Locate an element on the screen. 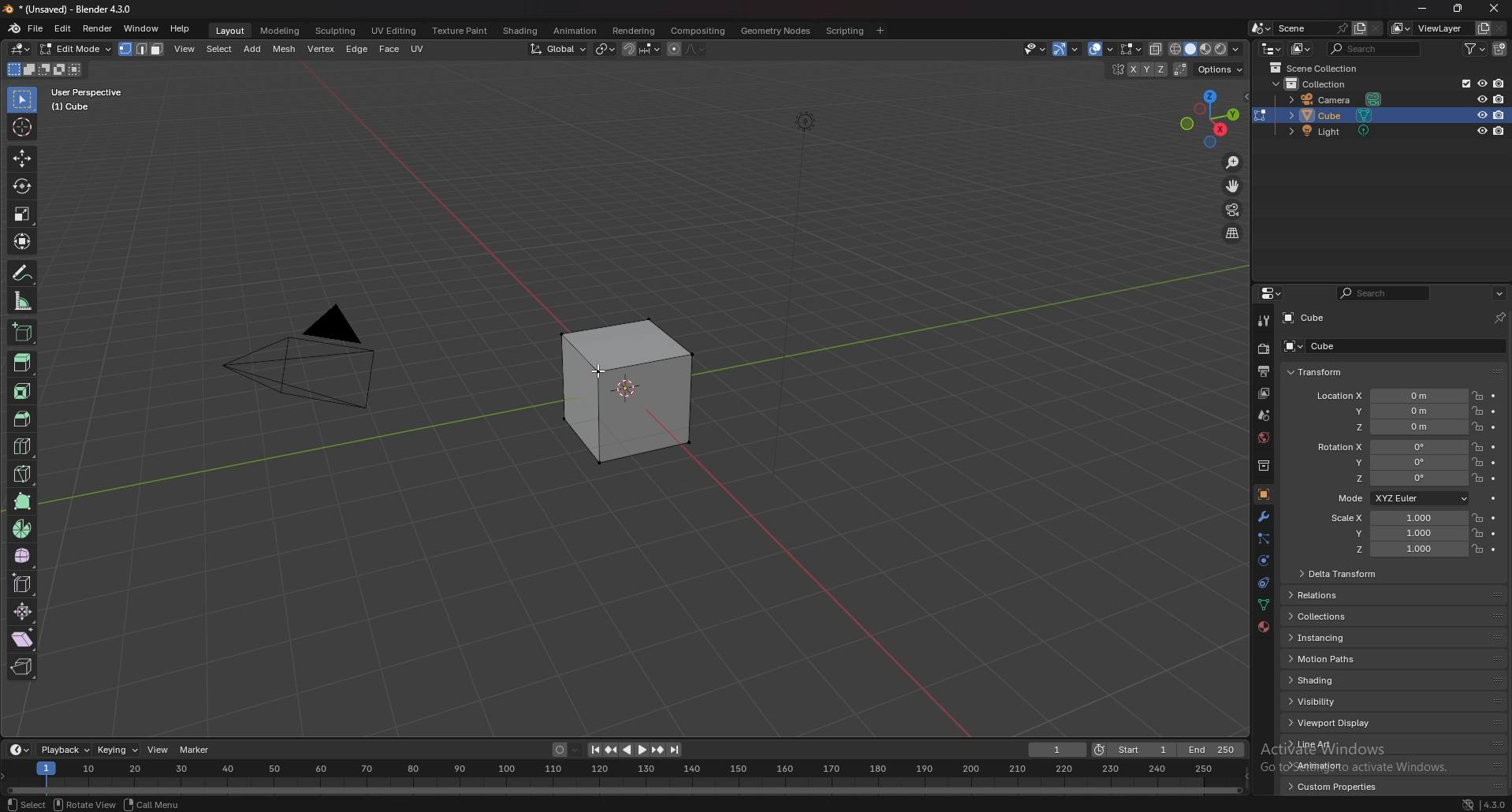  mode is located at coordinates (1401, 498).